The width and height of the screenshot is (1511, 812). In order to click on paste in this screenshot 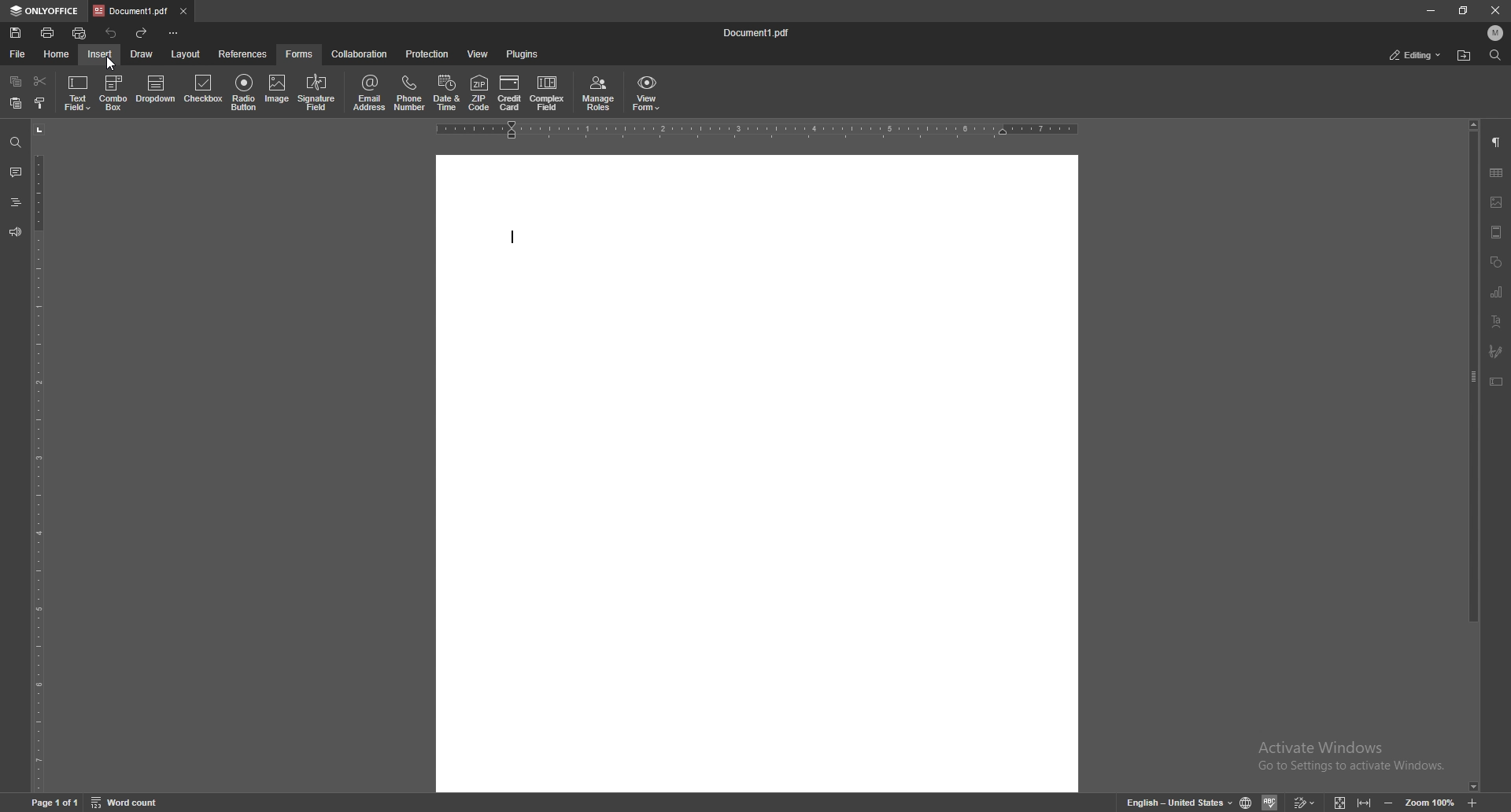, I will do `click(17, 102)`.